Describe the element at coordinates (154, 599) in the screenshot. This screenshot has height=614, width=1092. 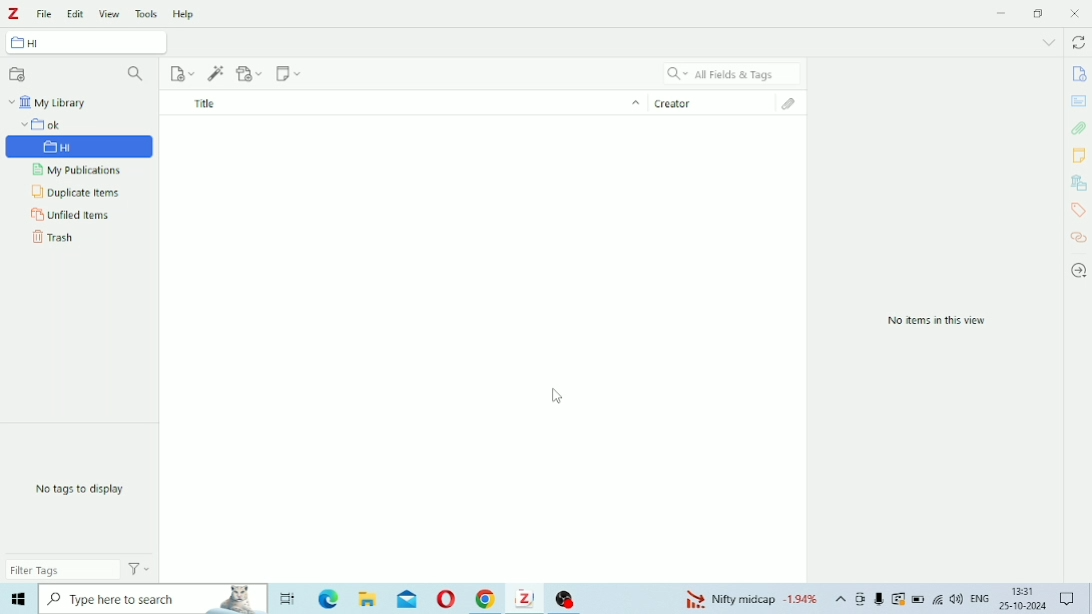
I see `Type here to search` at that location.